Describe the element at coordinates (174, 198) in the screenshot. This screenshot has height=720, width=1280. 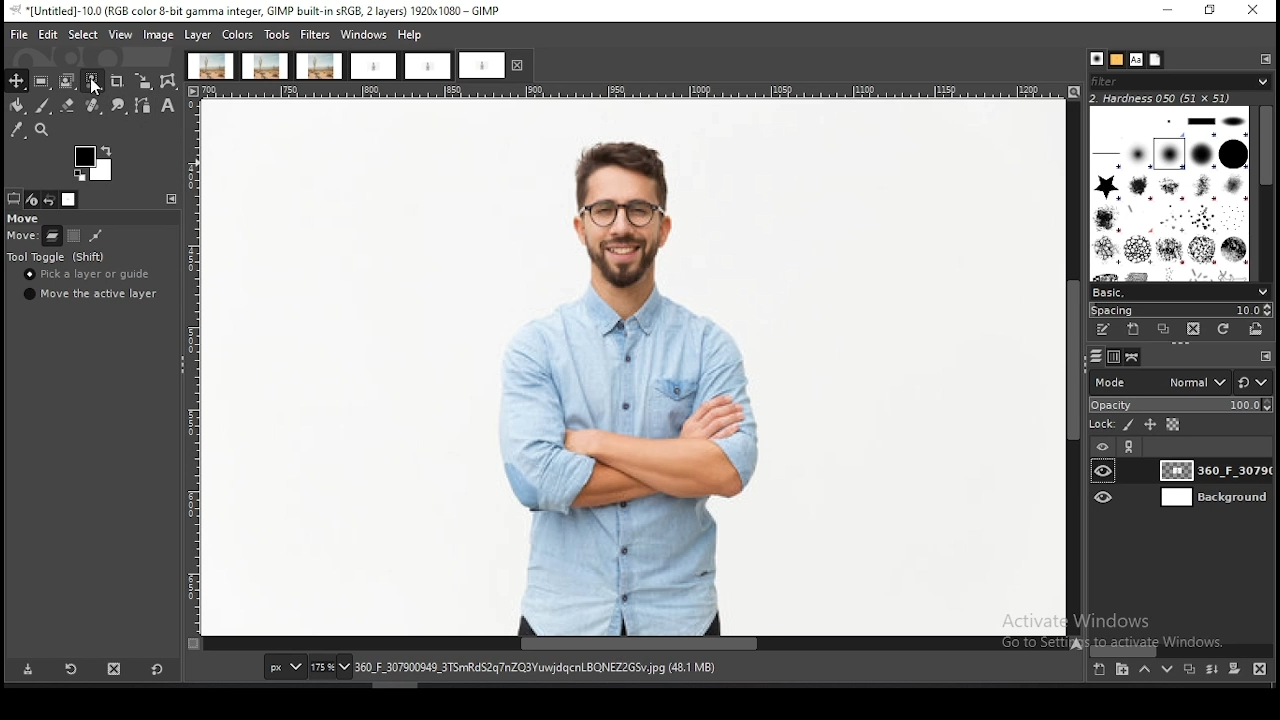
I see `configure this tab` at that location.